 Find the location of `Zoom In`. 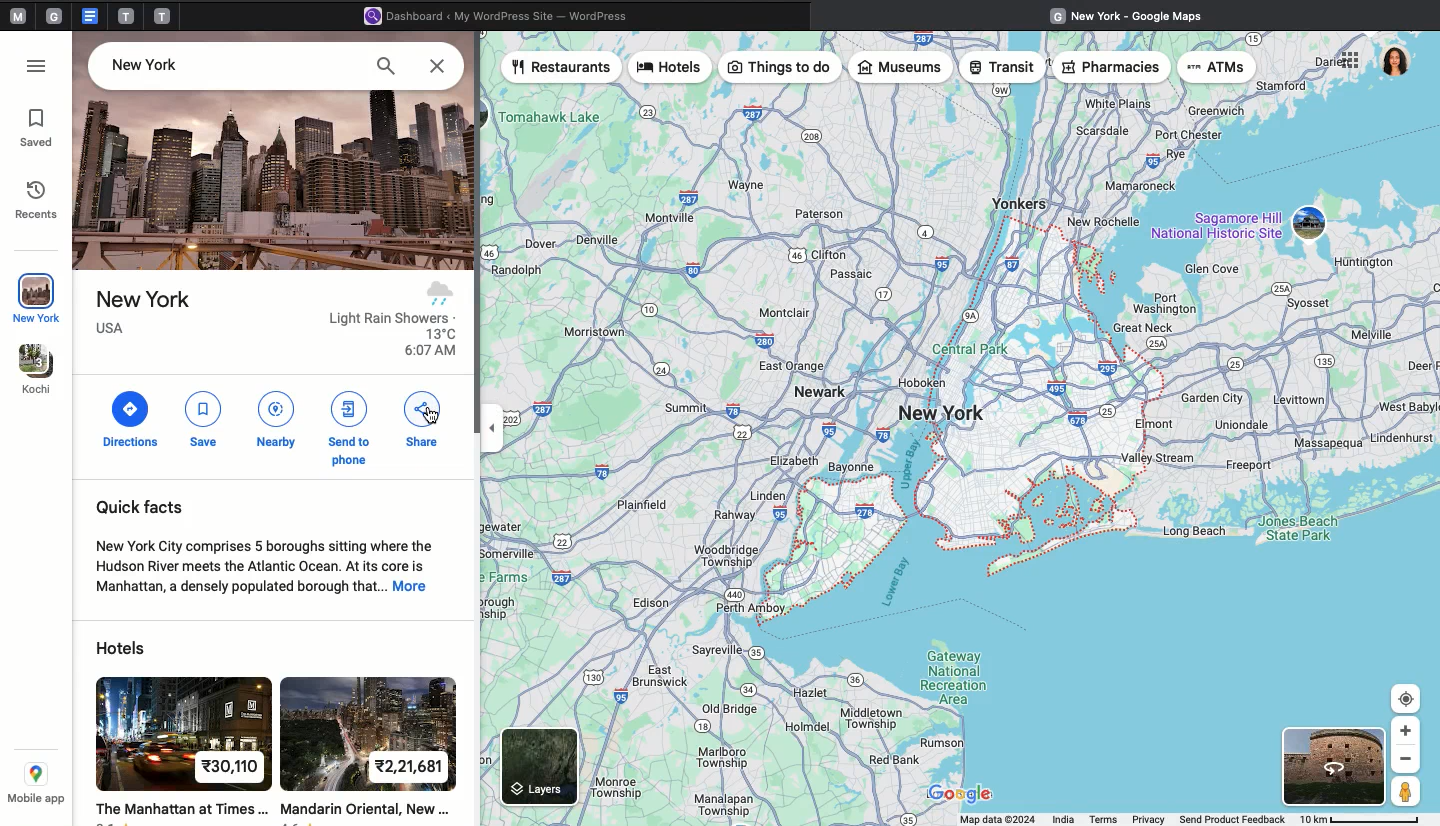

Zoom In is located at coordinates (1406, 731).